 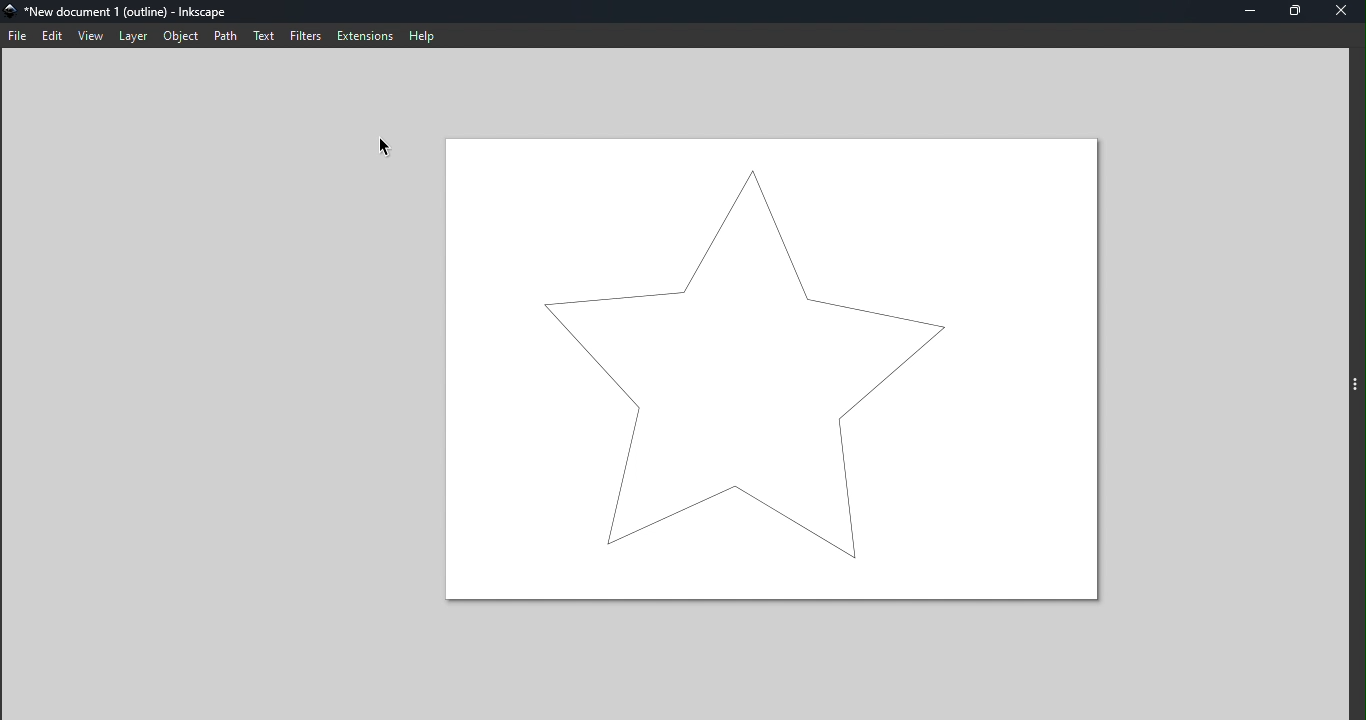 I want to click on Canvas, so click(x=770, y=369).